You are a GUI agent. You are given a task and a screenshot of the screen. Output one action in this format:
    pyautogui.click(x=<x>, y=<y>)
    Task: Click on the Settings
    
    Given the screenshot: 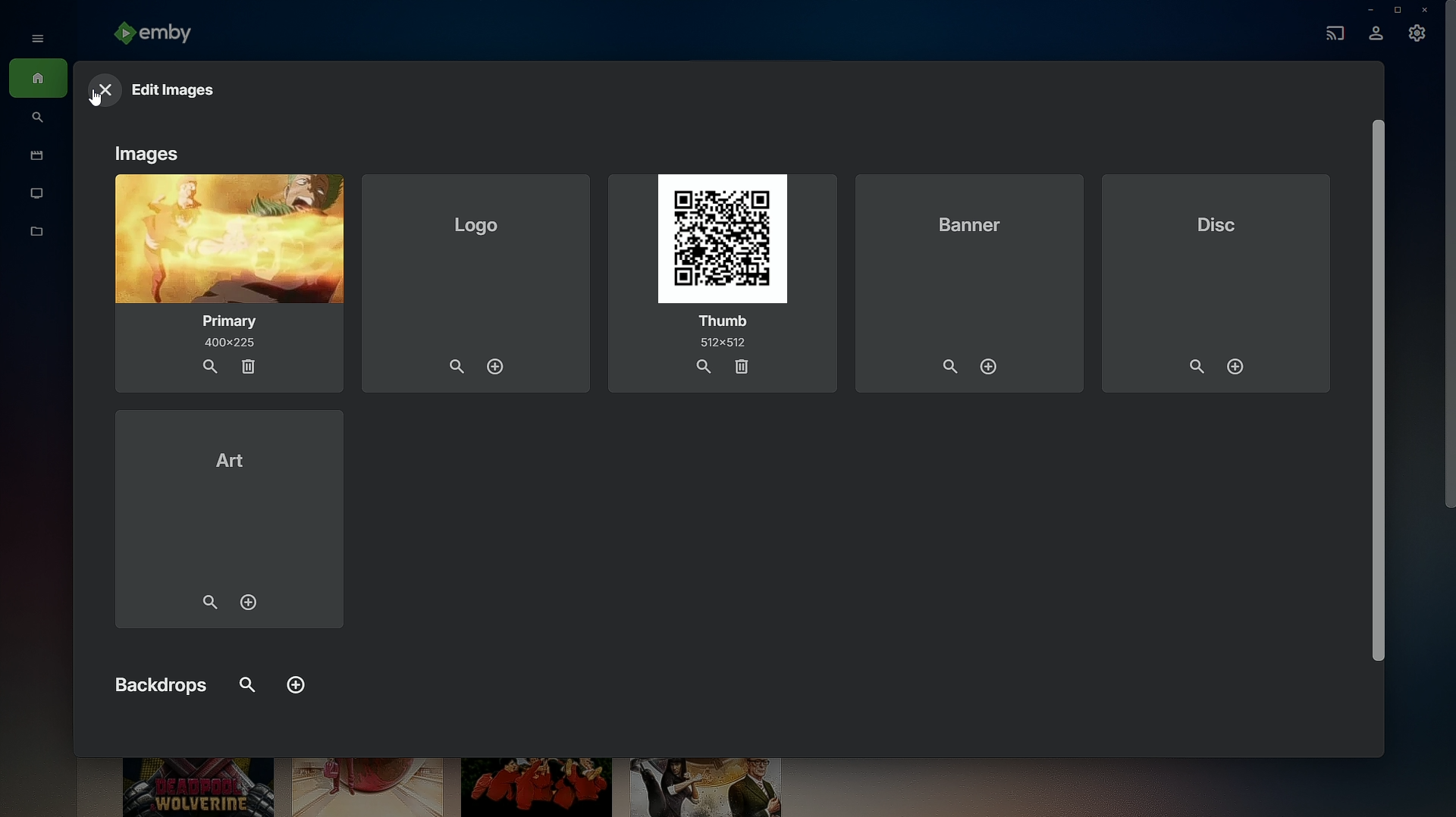 What is the action you would take?
    pyautogui.click(x=1418, y=37)
    